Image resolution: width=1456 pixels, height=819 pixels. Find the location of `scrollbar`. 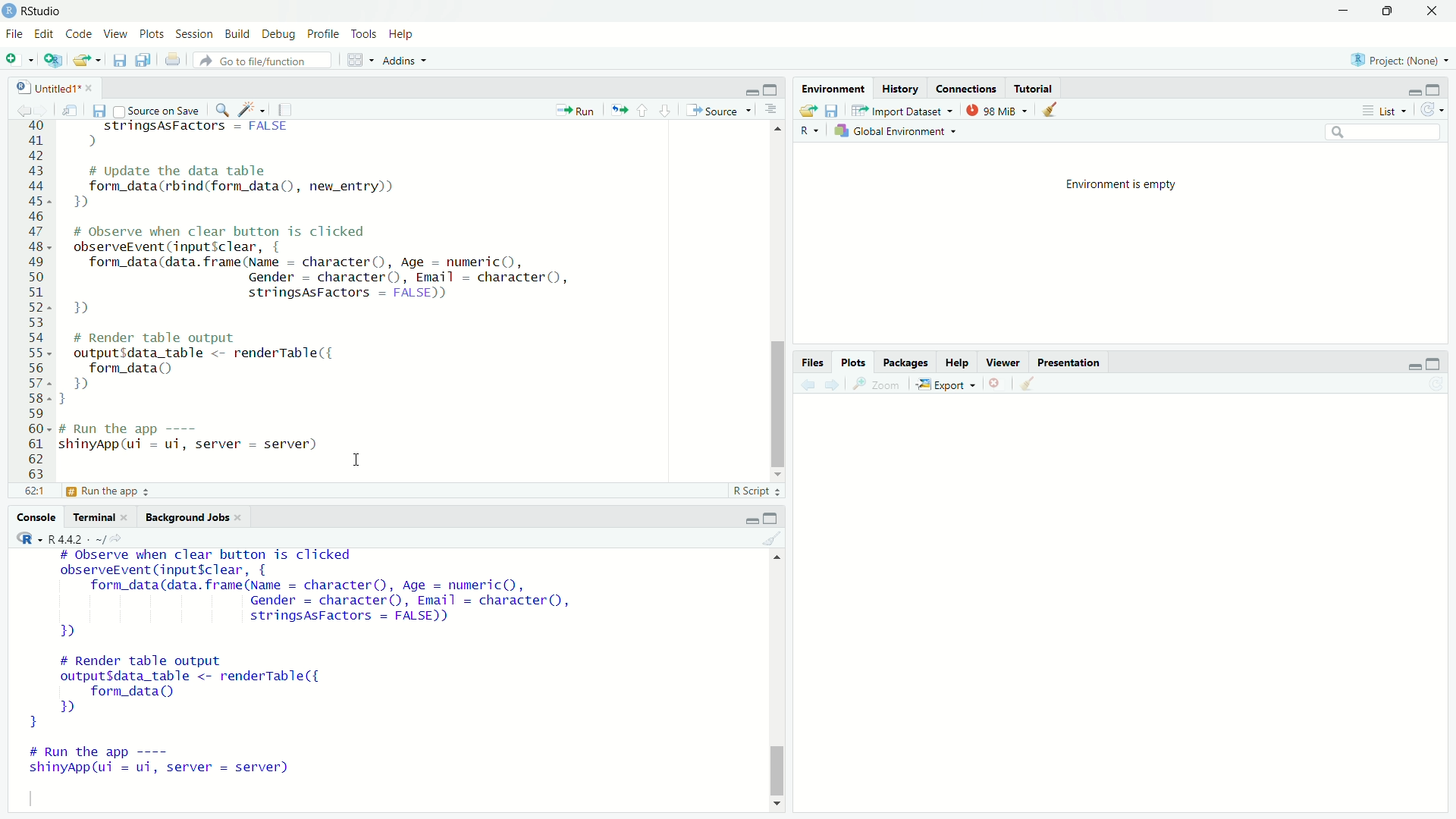

scrollbar is located at coordinates (778, 684).